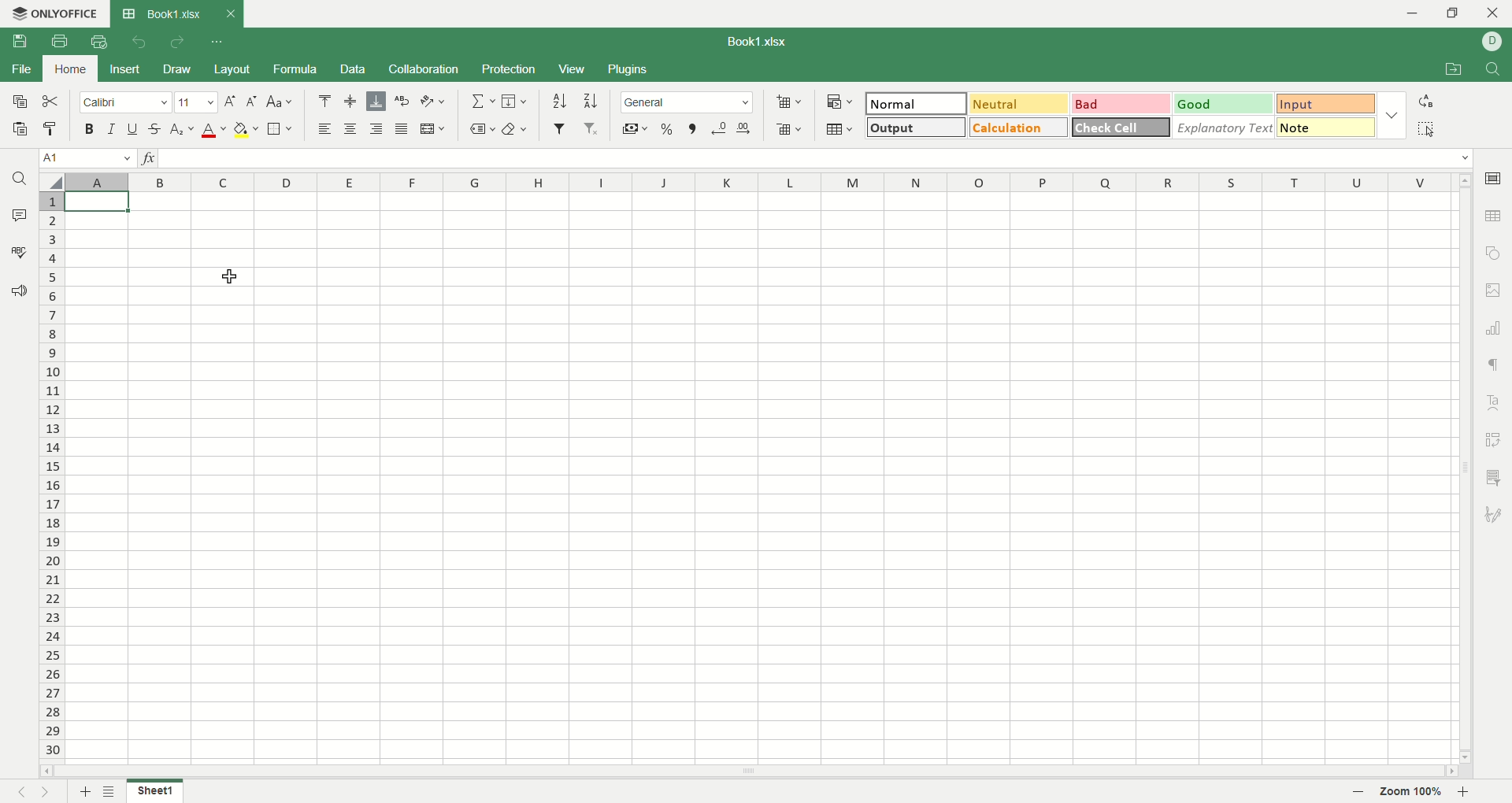 The width and height of the screenshot is (1512, 803). What do you see at coordinates (434, 128) in the screenshot?
I see `merge and center` at bounding box center [434, 128].